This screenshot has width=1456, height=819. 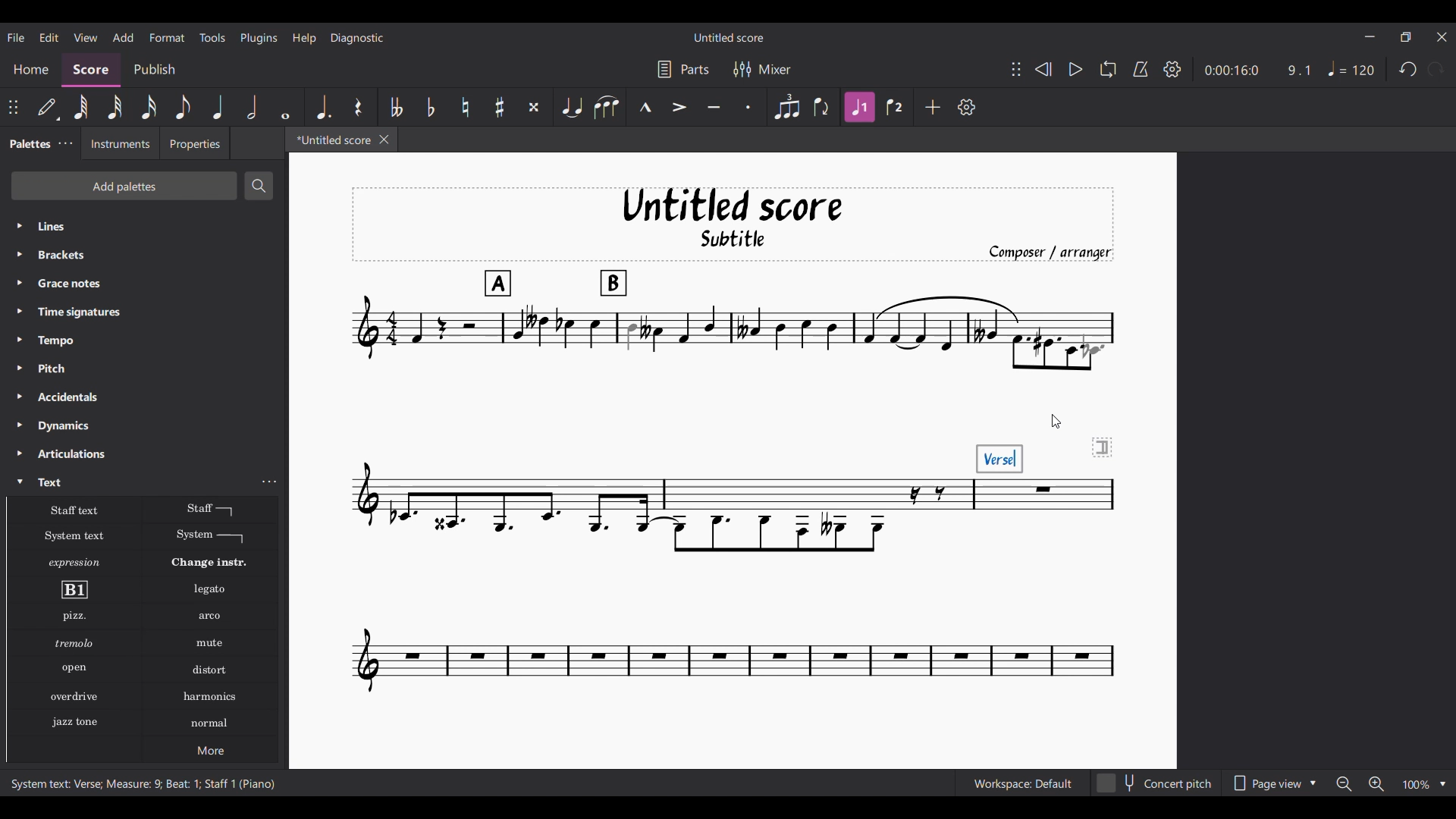 What do you see at coordinates (1108, 69) in the screenshot?
I see `Loop playback` at bounding box center [1108, 69].